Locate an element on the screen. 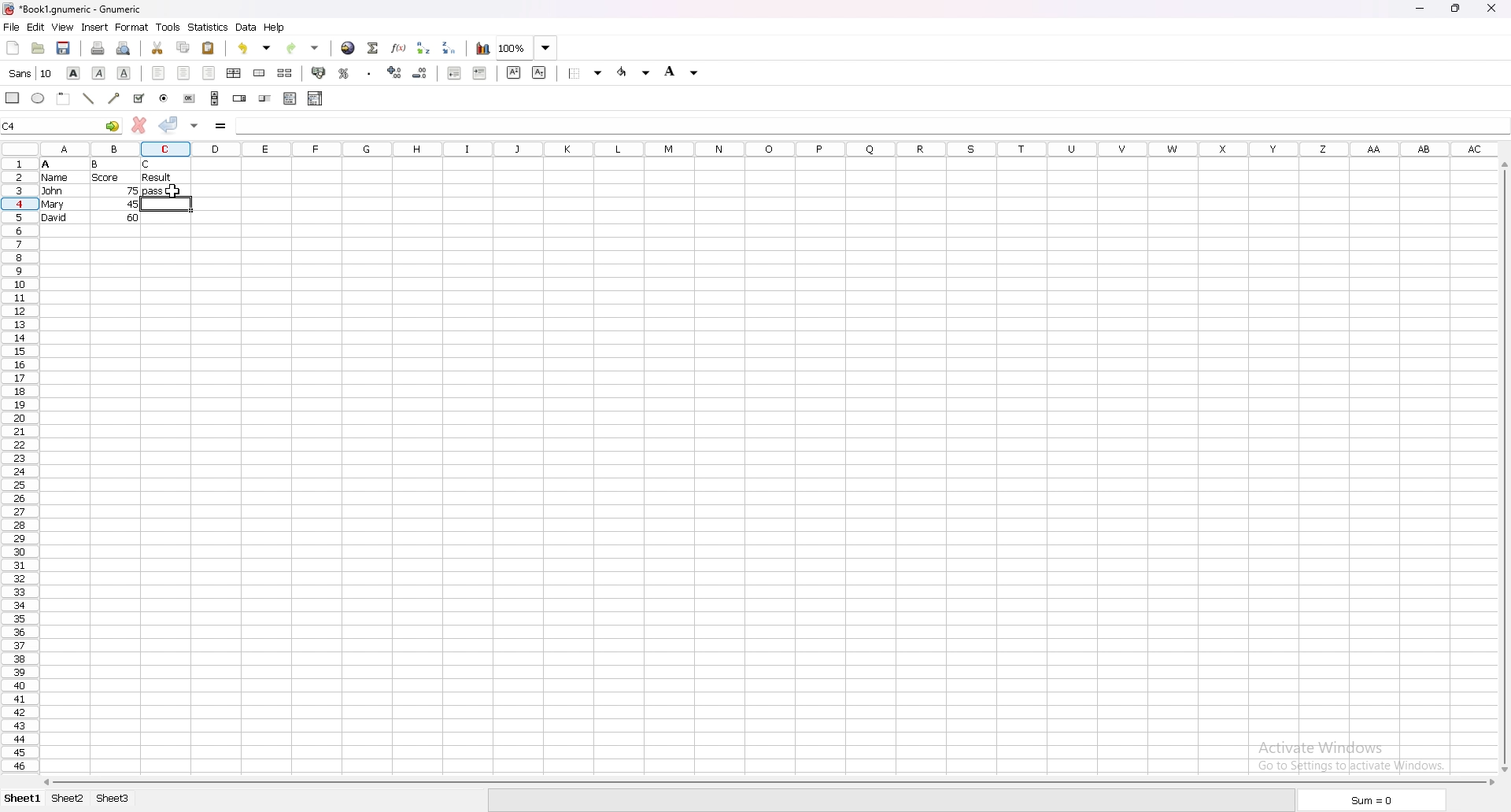  center align is located at coordinates (183, 72).